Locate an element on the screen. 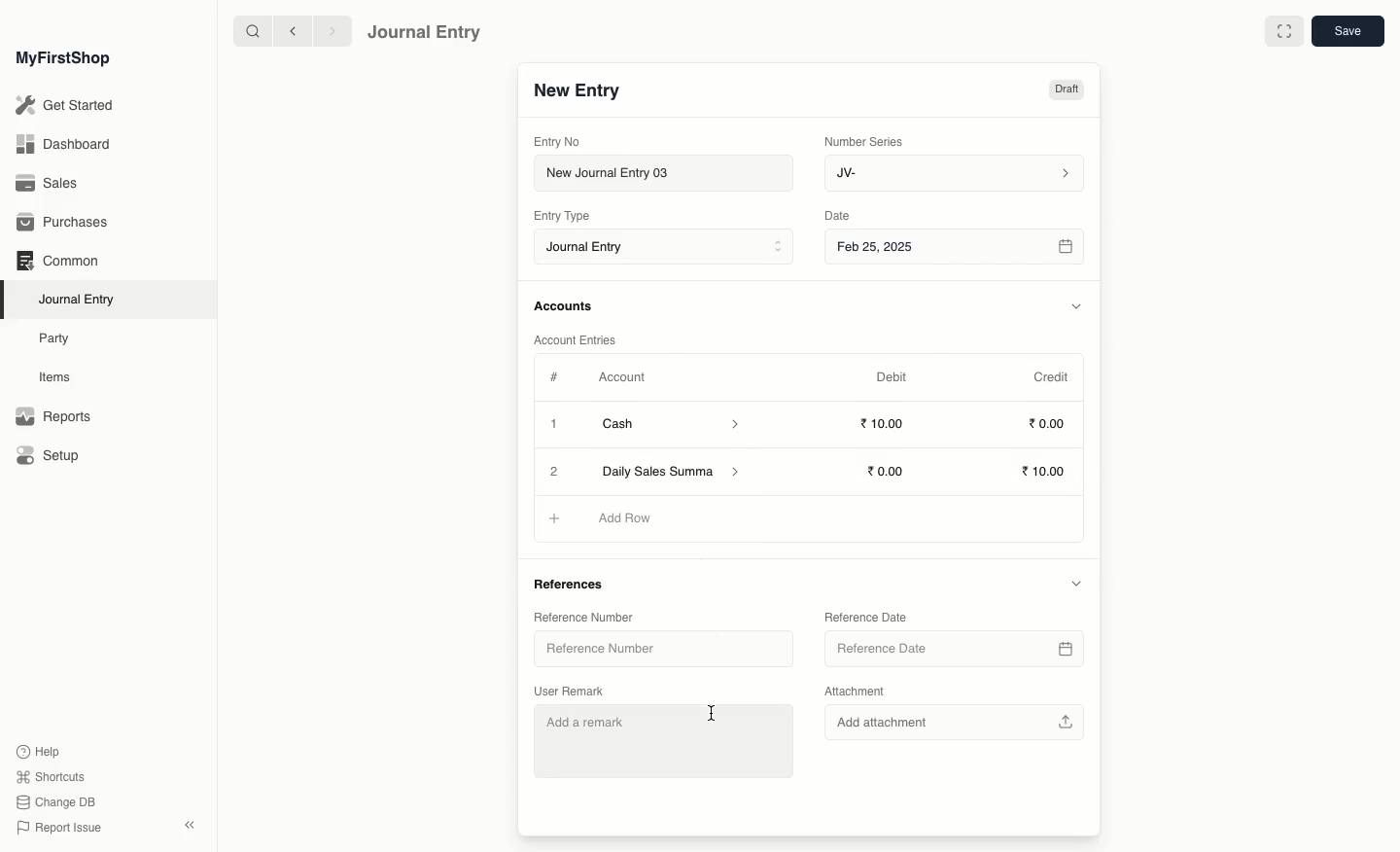 The height and width of the screenshot is (852, 1400). References is located at coordinates (574, 586).